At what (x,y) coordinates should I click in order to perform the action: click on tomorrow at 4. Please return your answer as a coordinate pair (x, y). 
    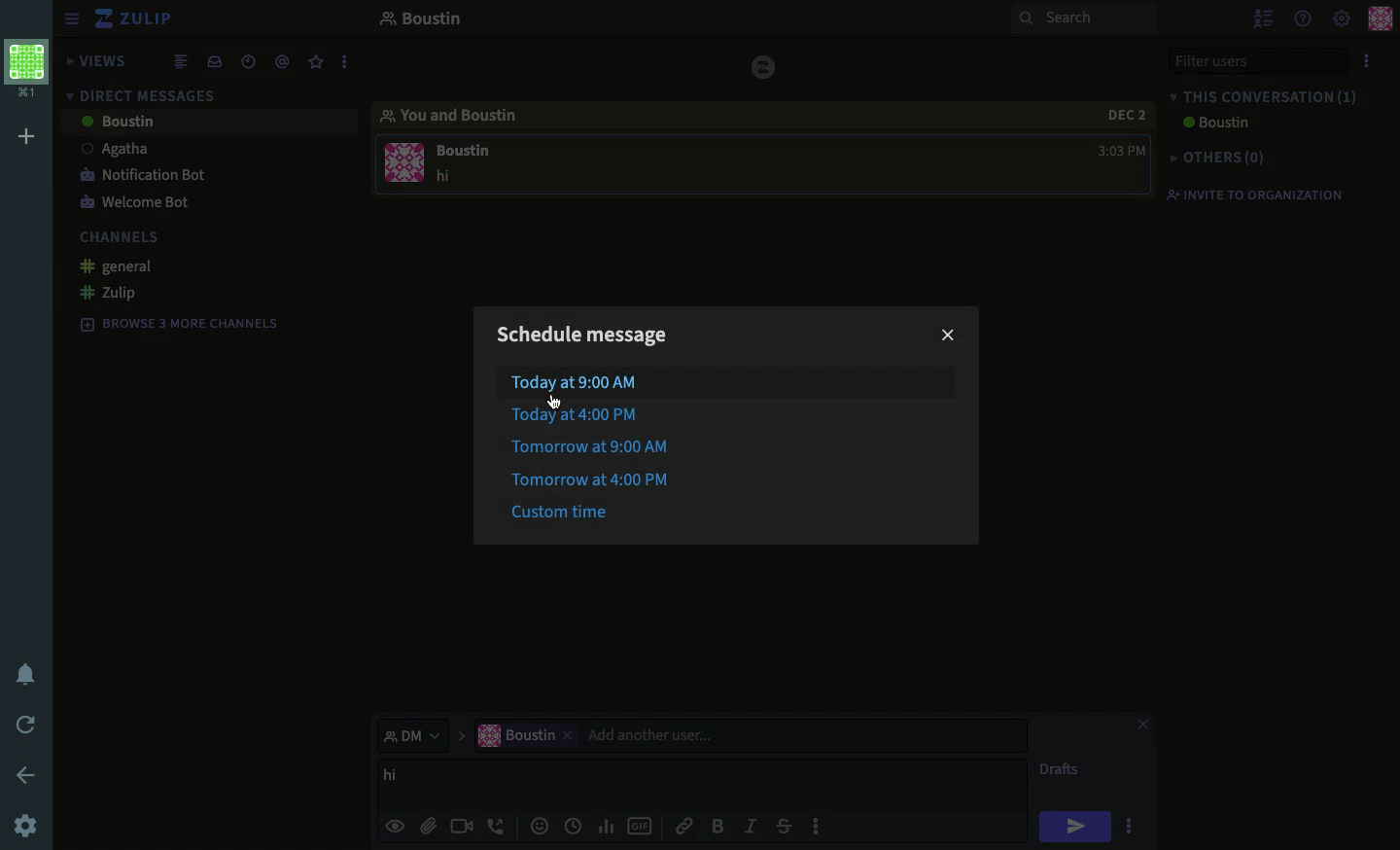
    Looking at the image, I should click on (592, 480).